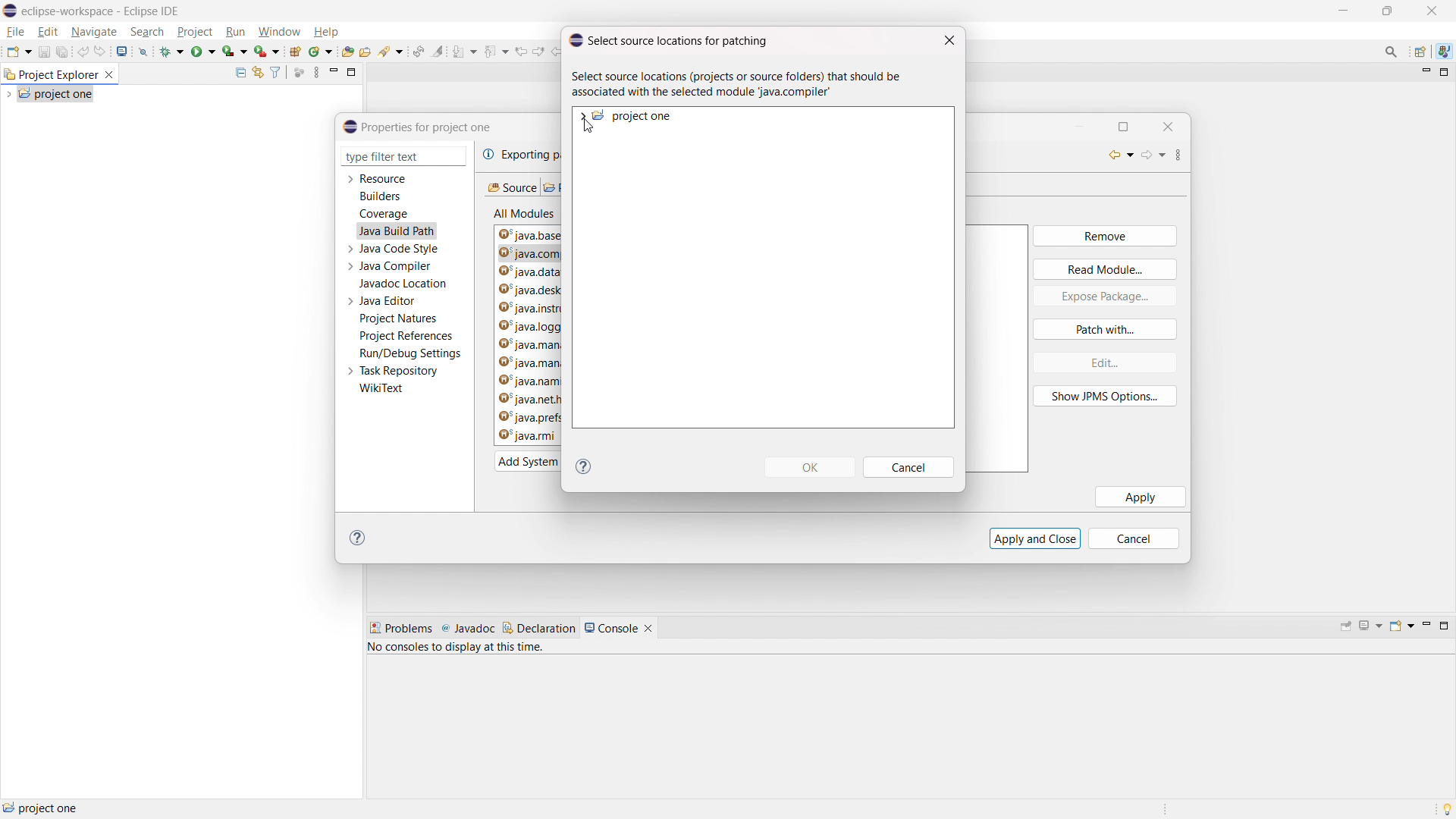 Image resolution: width=1456 pixels, height=819 pixels. Describe the element at coordinates (143, 50) in the screenshot. I see `skip all breakpoint` at that location.